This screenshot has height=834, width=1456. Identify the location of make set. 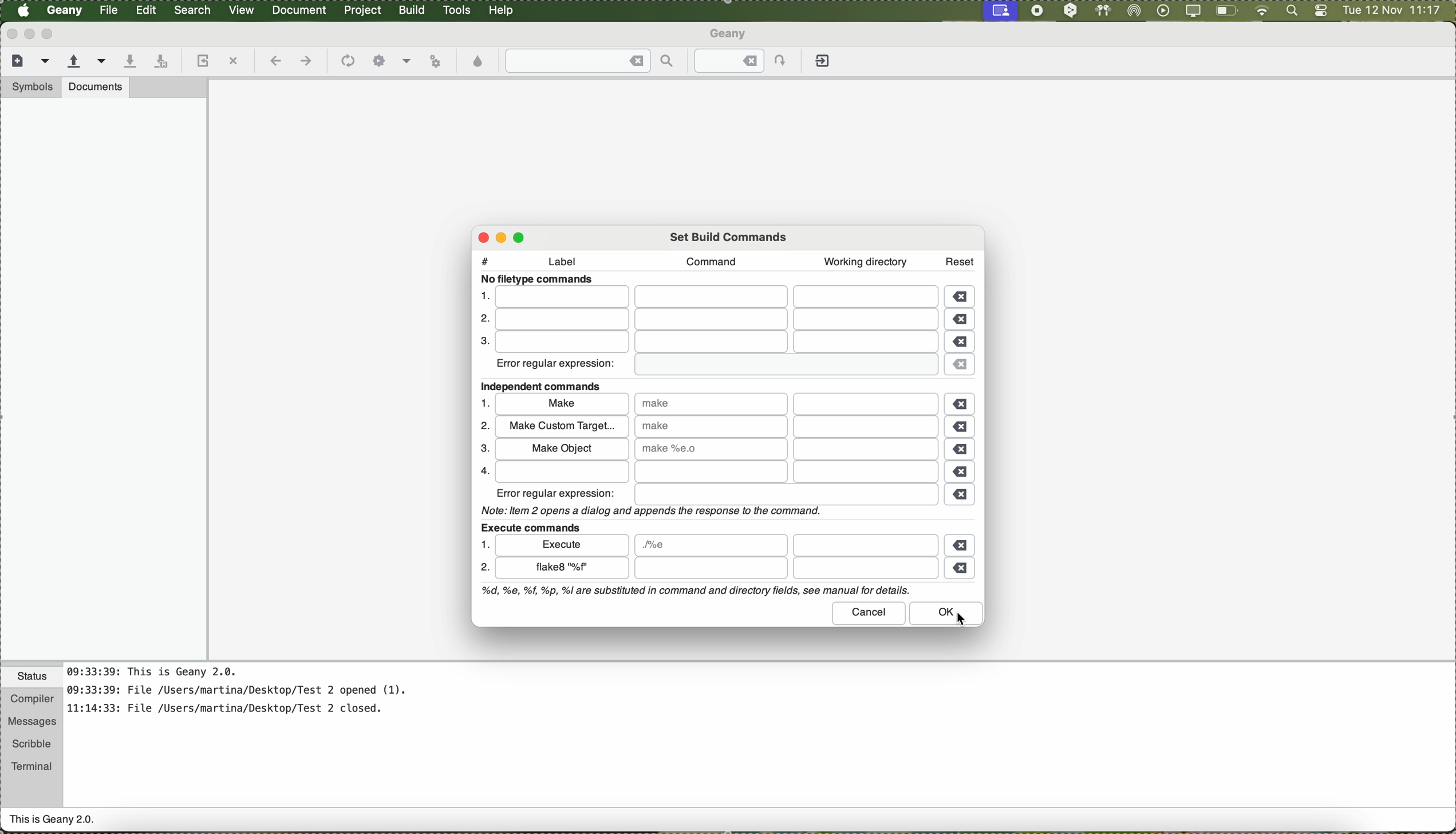
(710, 449).